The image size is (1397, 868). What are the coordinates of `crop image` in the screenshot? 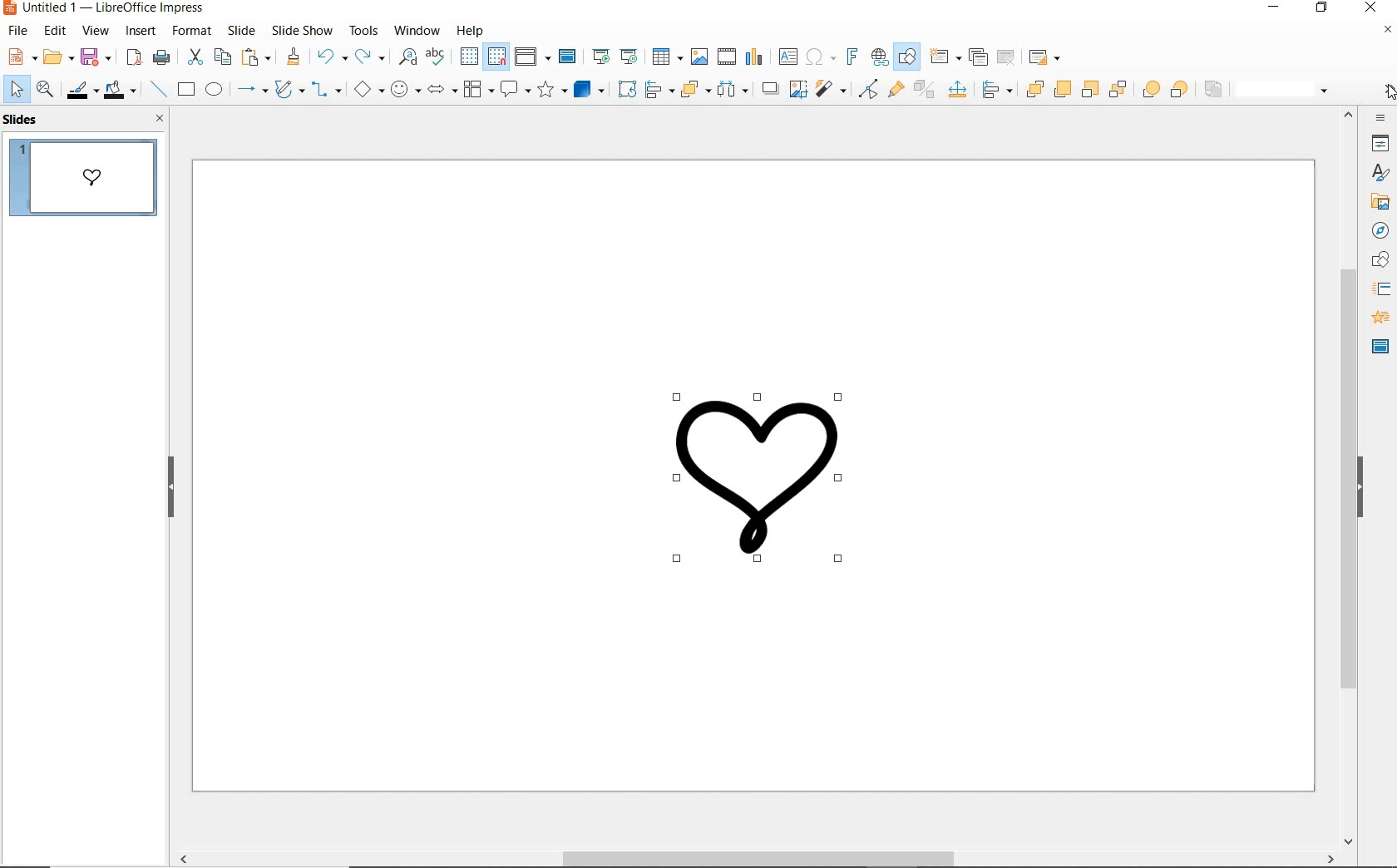 It's located at (797, 89).